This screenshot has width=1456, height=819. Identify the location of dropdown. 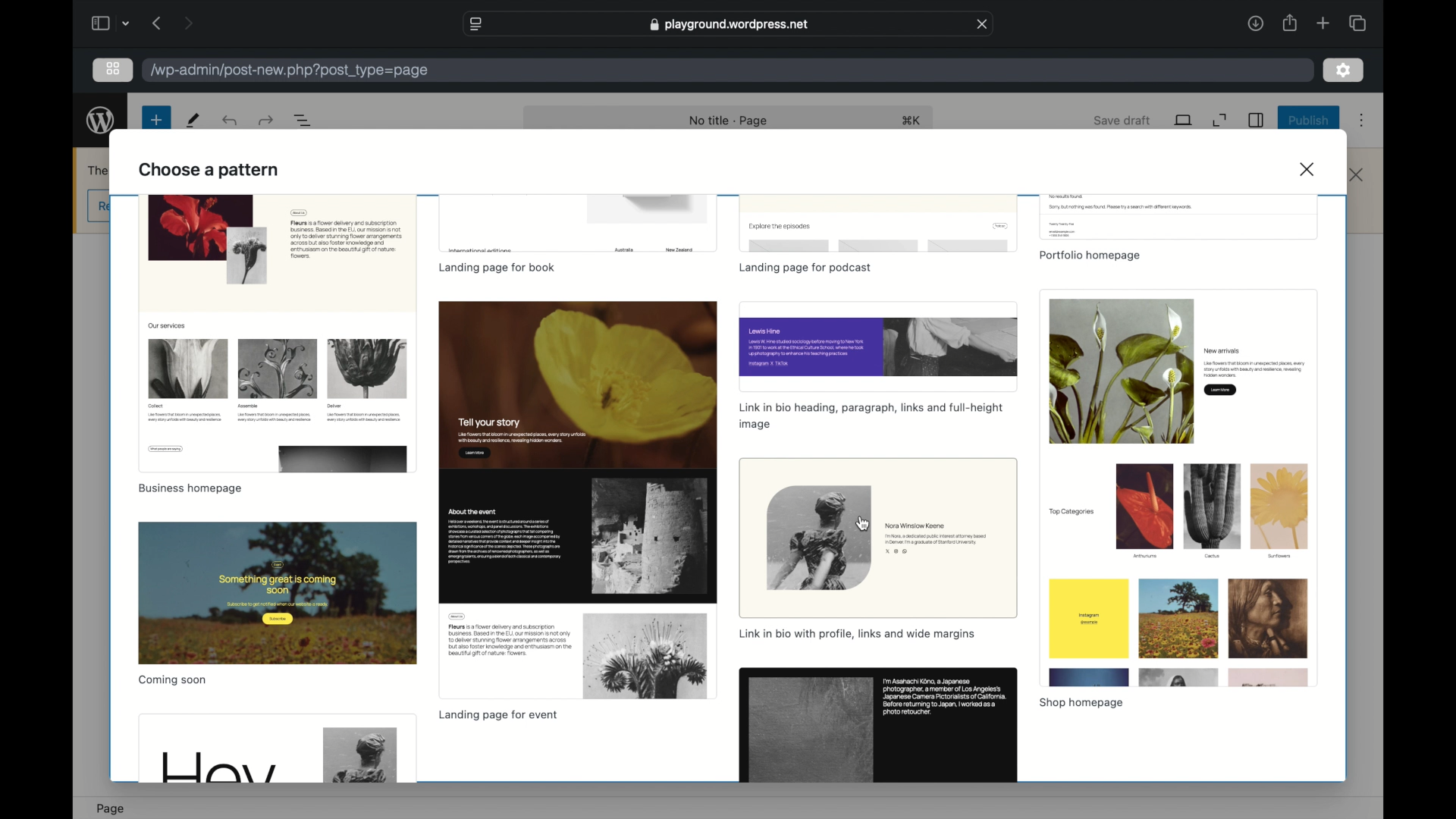
(126, 23).